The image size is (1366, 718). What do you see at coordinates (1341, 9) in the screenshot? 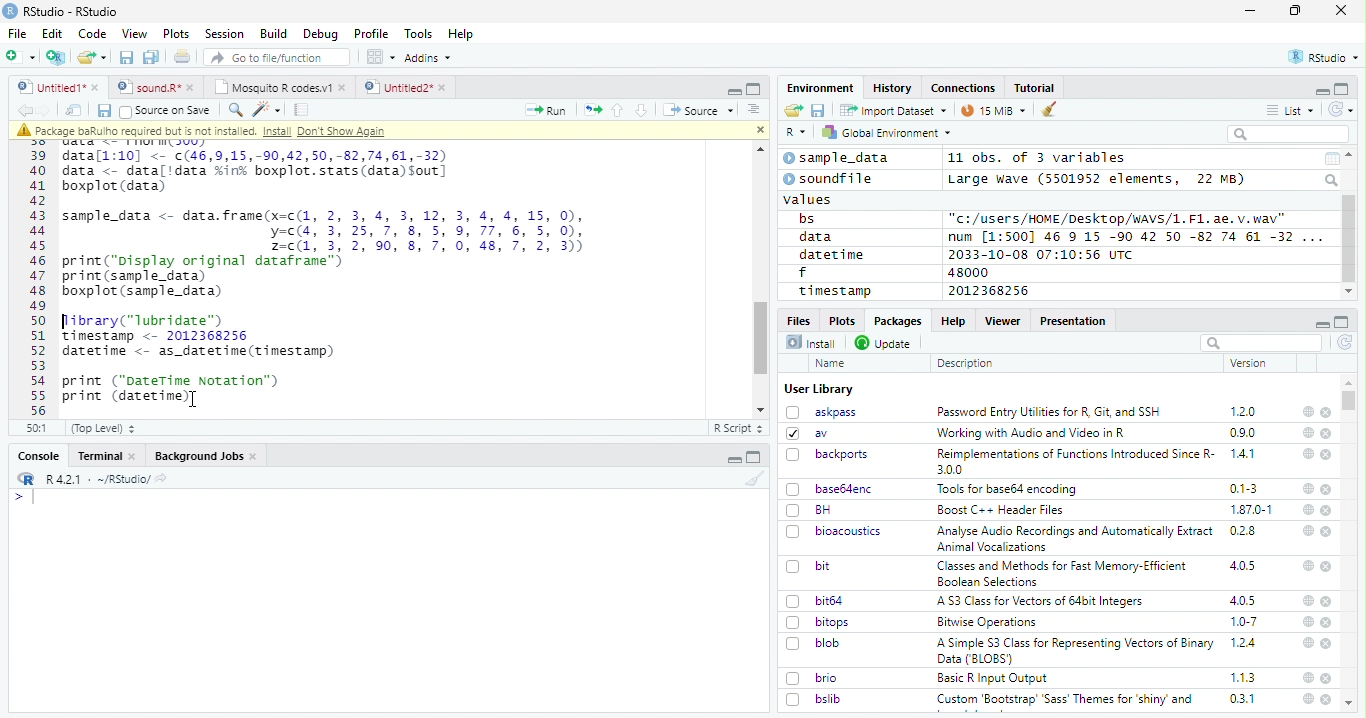
I see `close` at bounding box center [1341, 9].